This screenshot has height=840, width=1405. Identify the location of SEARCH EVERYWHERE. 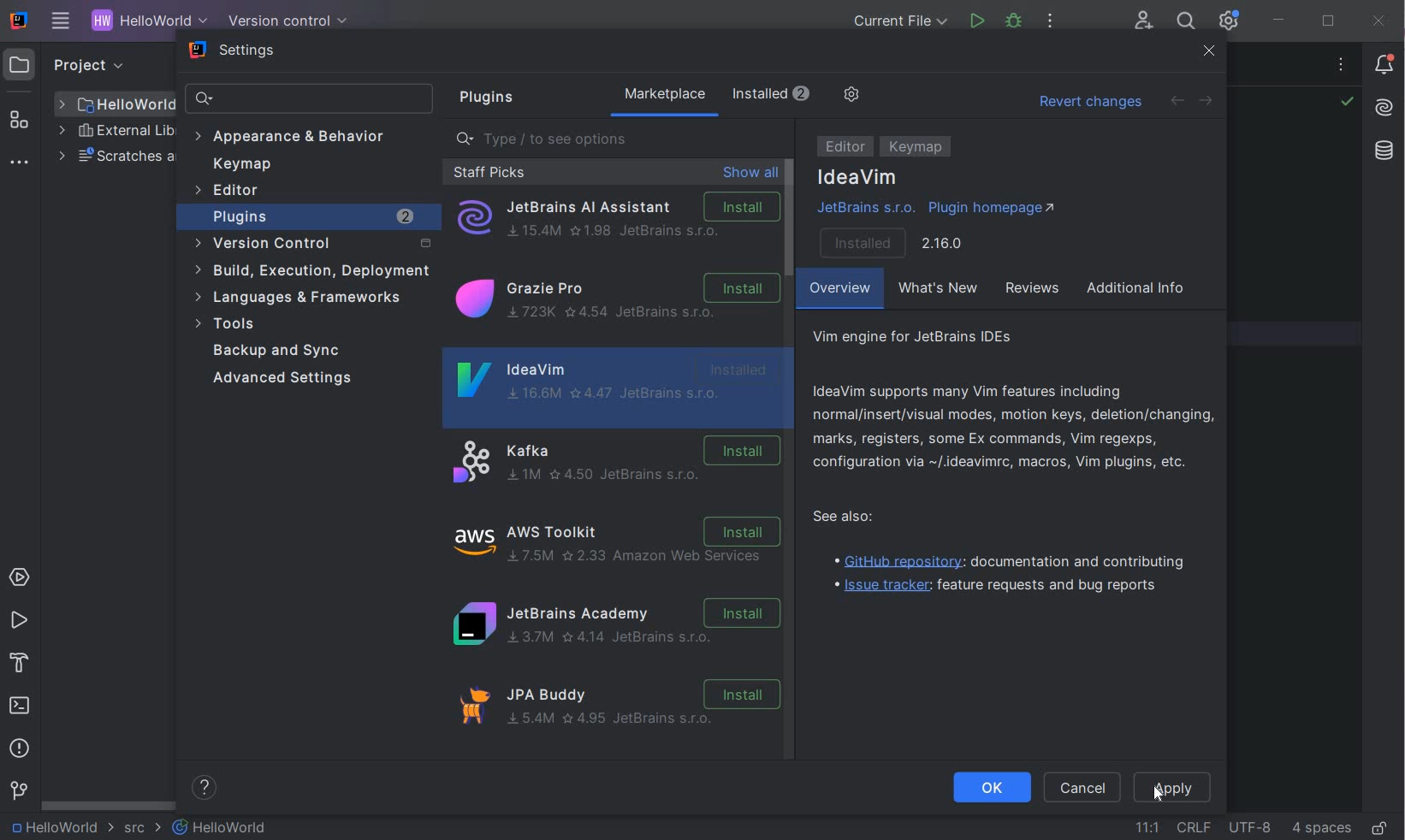
(1185, 23).